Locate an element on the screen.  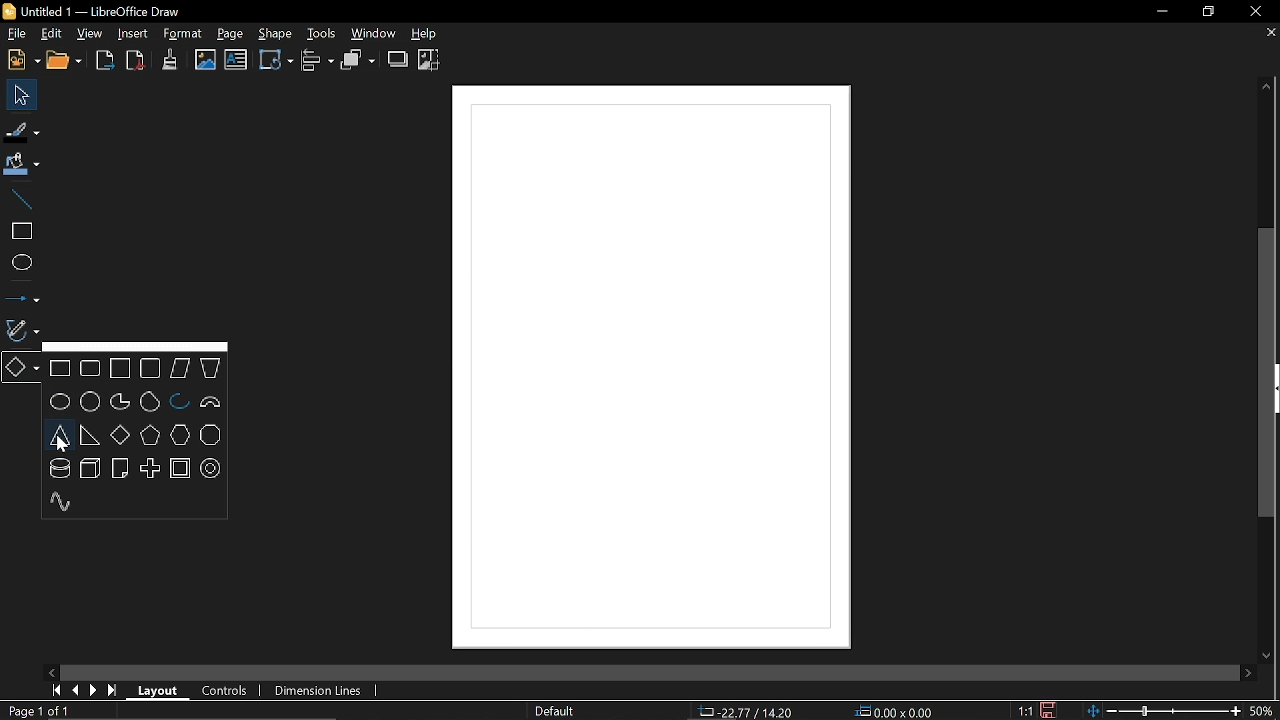
File is located at coordinates (16, 33).